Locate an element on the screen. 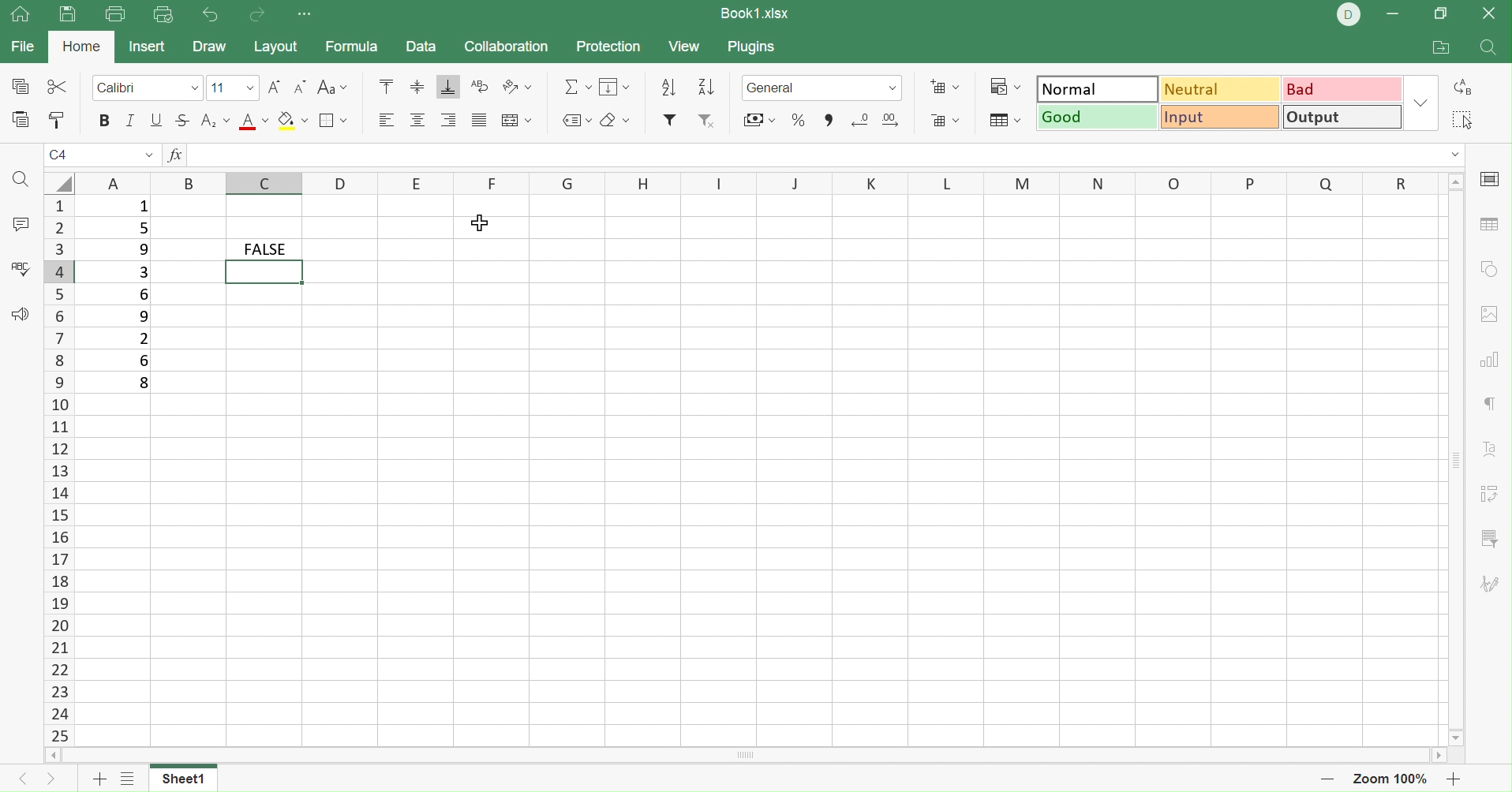 This screenshot has height=792, width=1512. Change case is located at coordinates (331, 87).